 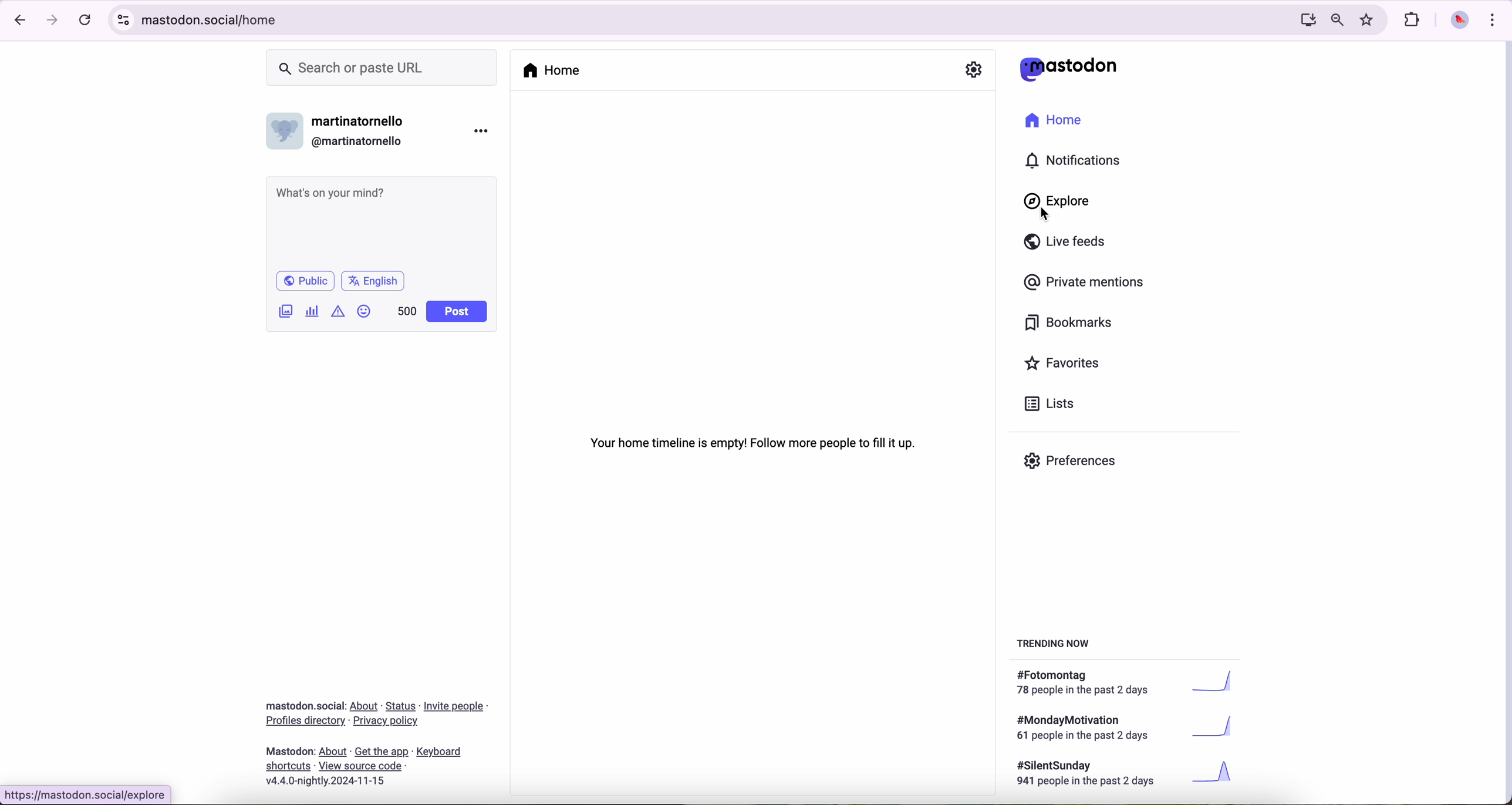 What do you see at coordinates (373, 280) in the screenshot?
I see `language` at bounding box center [373, 280].